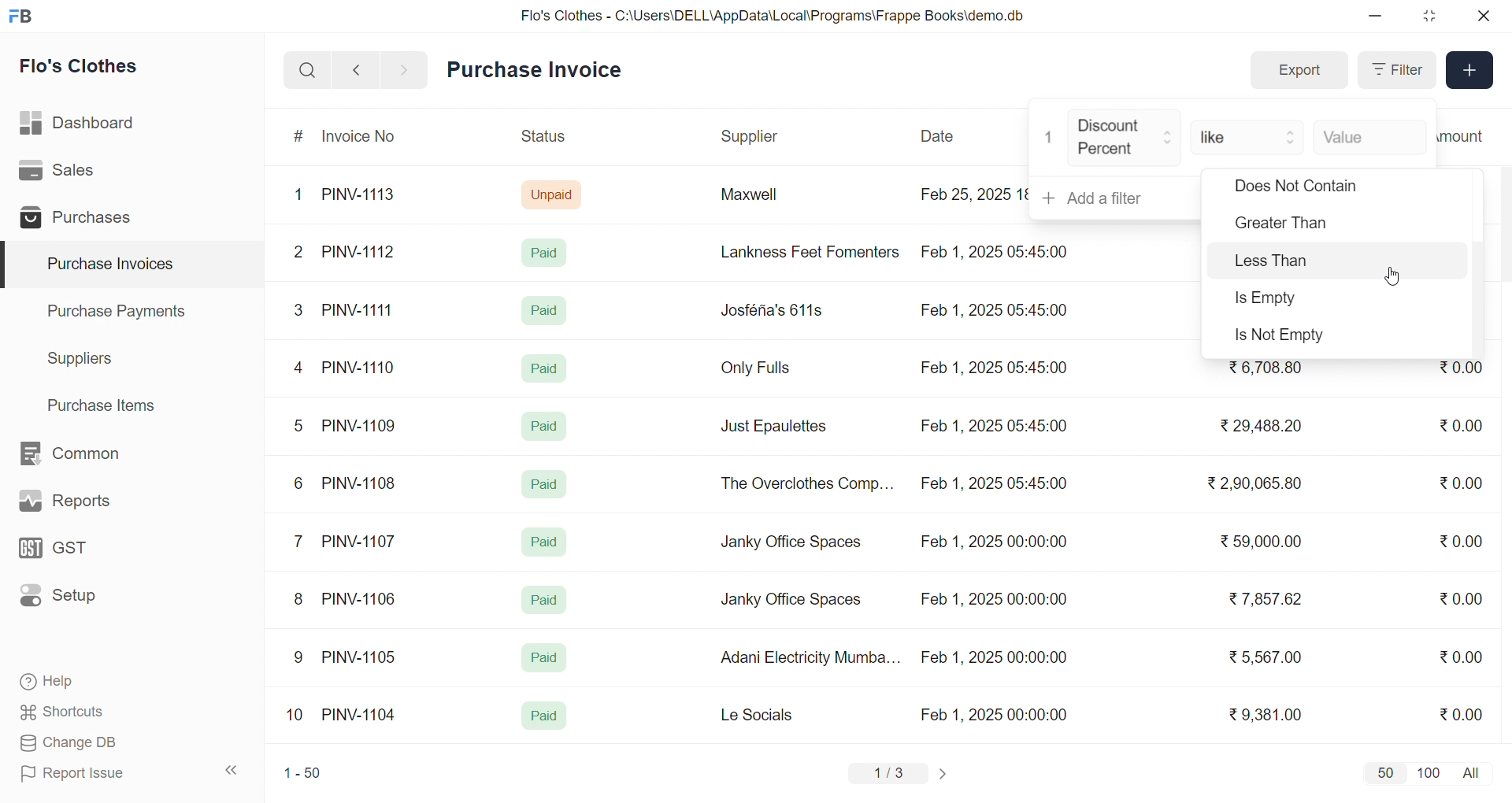 This screenshot has width=1512, height=803. Describe the element at coordinates (1050, 138) in the screenshot. I see `1` at that location.